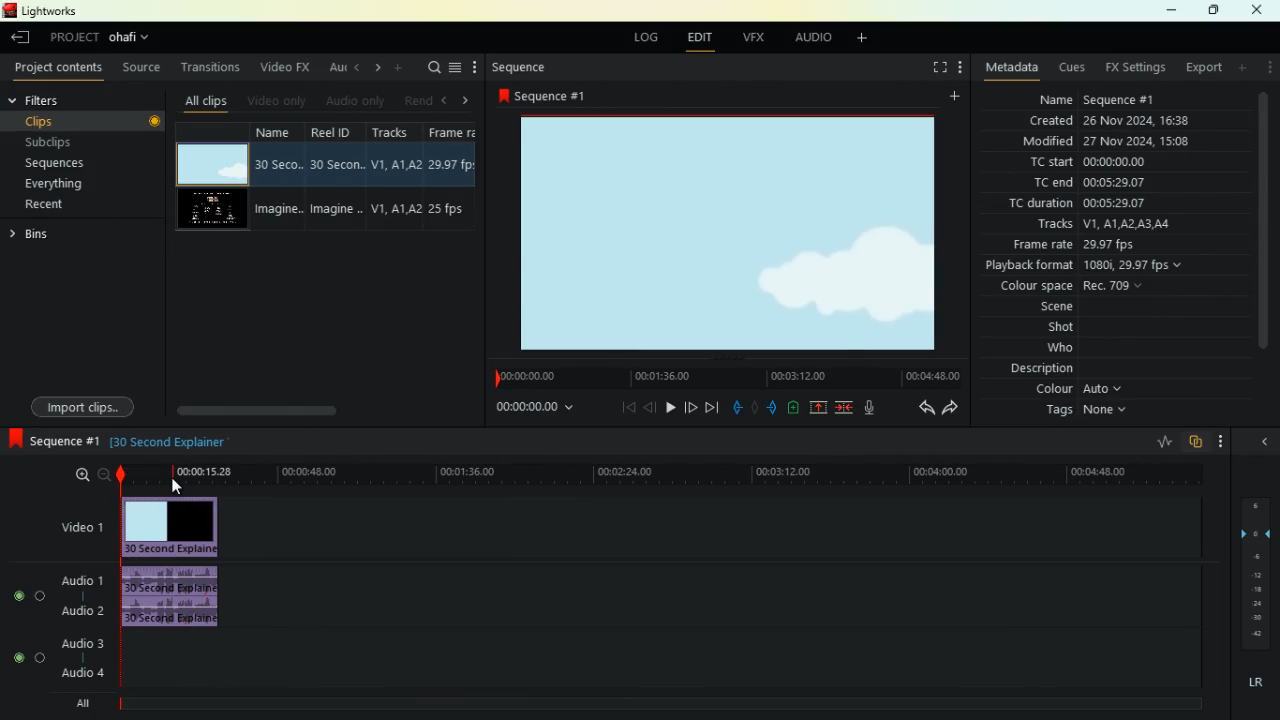 Image resolution: width=1280 pixels, height=720 pixels. Describe the element at coordinates (737, 233) in the screenshot. I see `image` at that location.